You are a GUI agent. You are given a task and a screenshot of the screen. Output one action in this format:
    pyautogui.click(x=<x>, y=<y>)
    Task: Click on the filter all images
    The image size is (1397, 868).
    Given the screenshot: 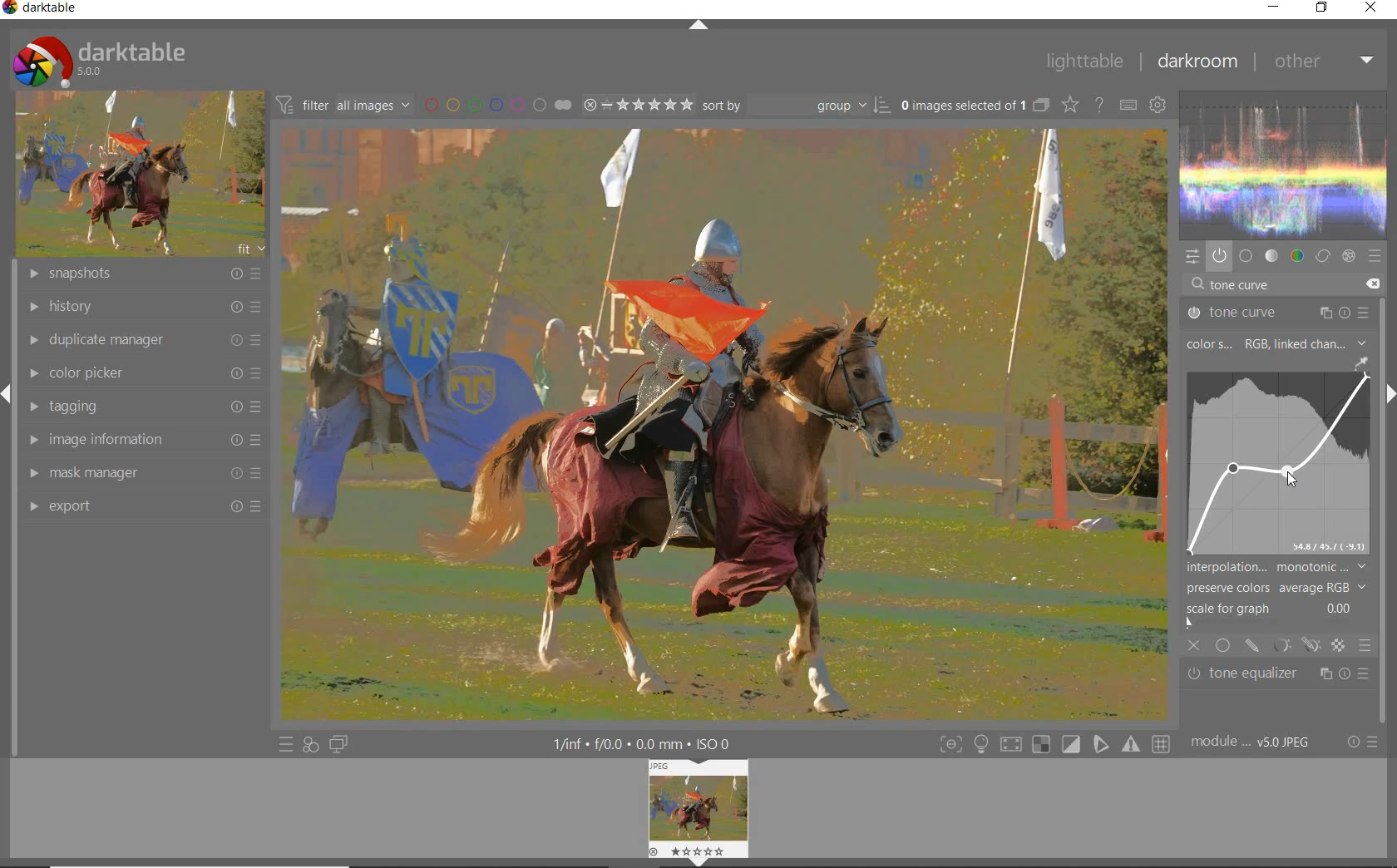 What is the action you would take?
    pyautogui.click(x=343, y=105)
    